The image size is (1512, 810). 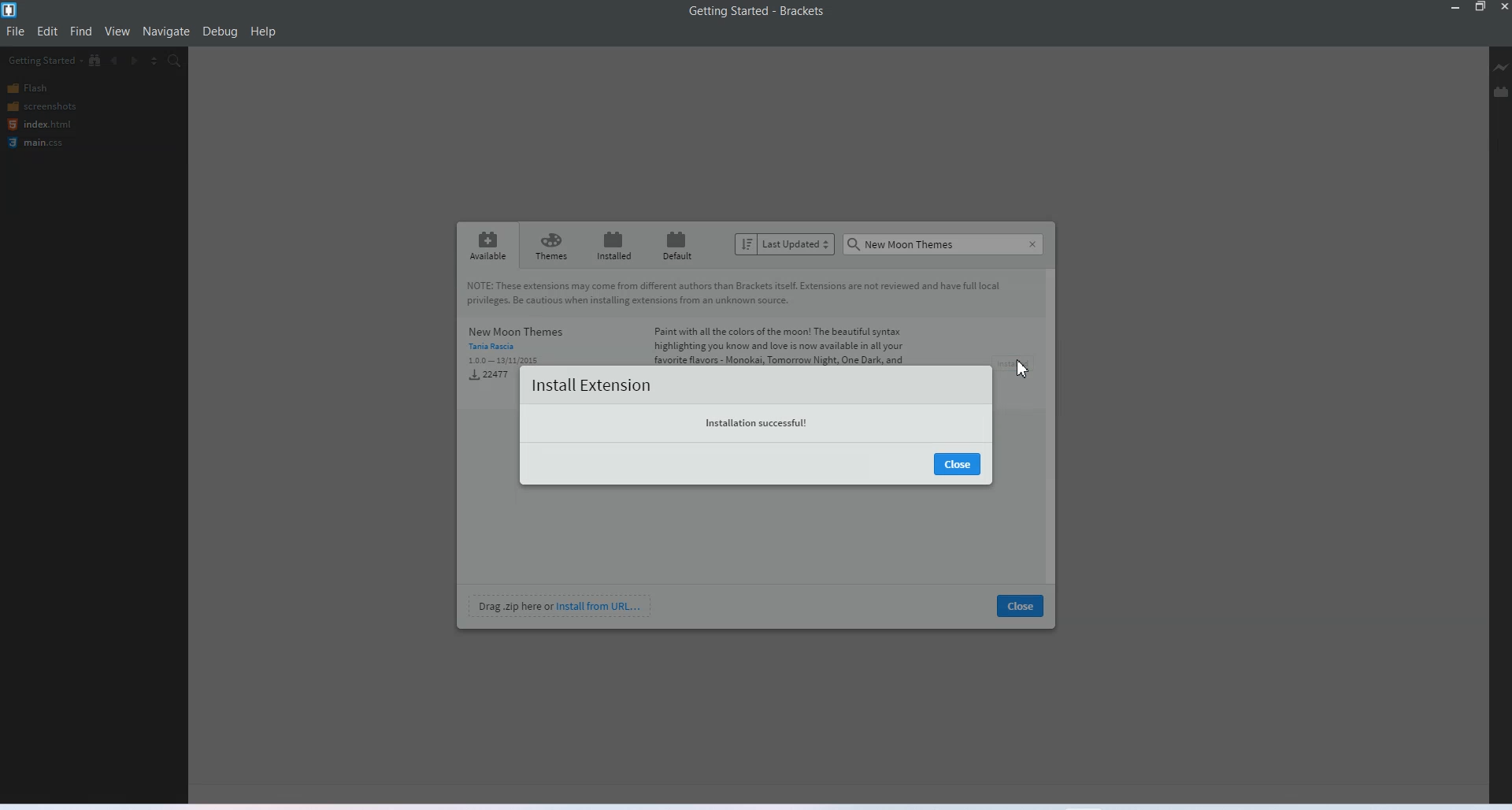 What do you see at coordinates (39, 89) in the screenshot?
I see `Flash` at bounding box center [39, 89].